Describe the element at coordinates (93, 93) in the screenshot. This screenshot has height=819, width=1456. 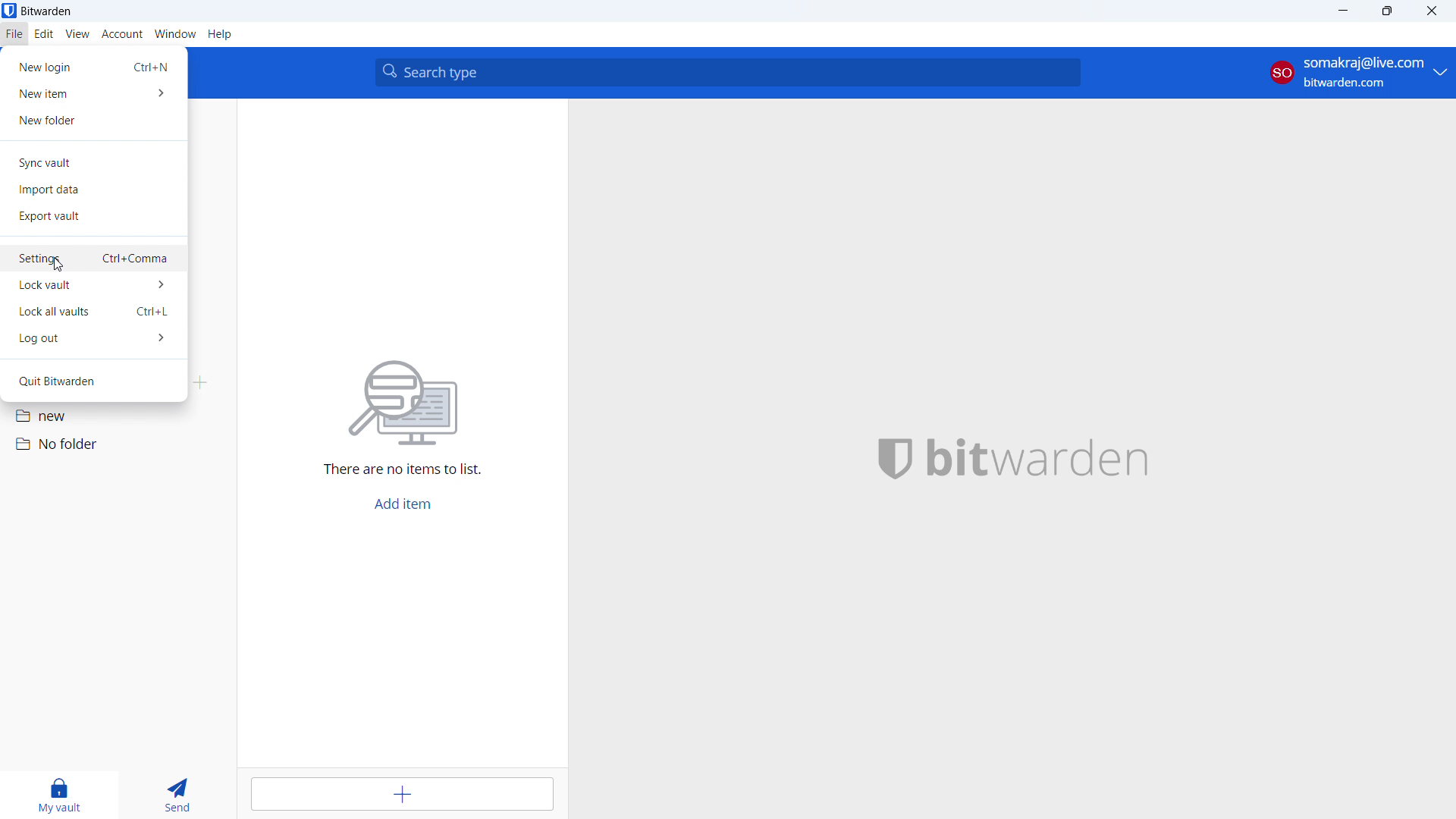
I see `new item` at that location.